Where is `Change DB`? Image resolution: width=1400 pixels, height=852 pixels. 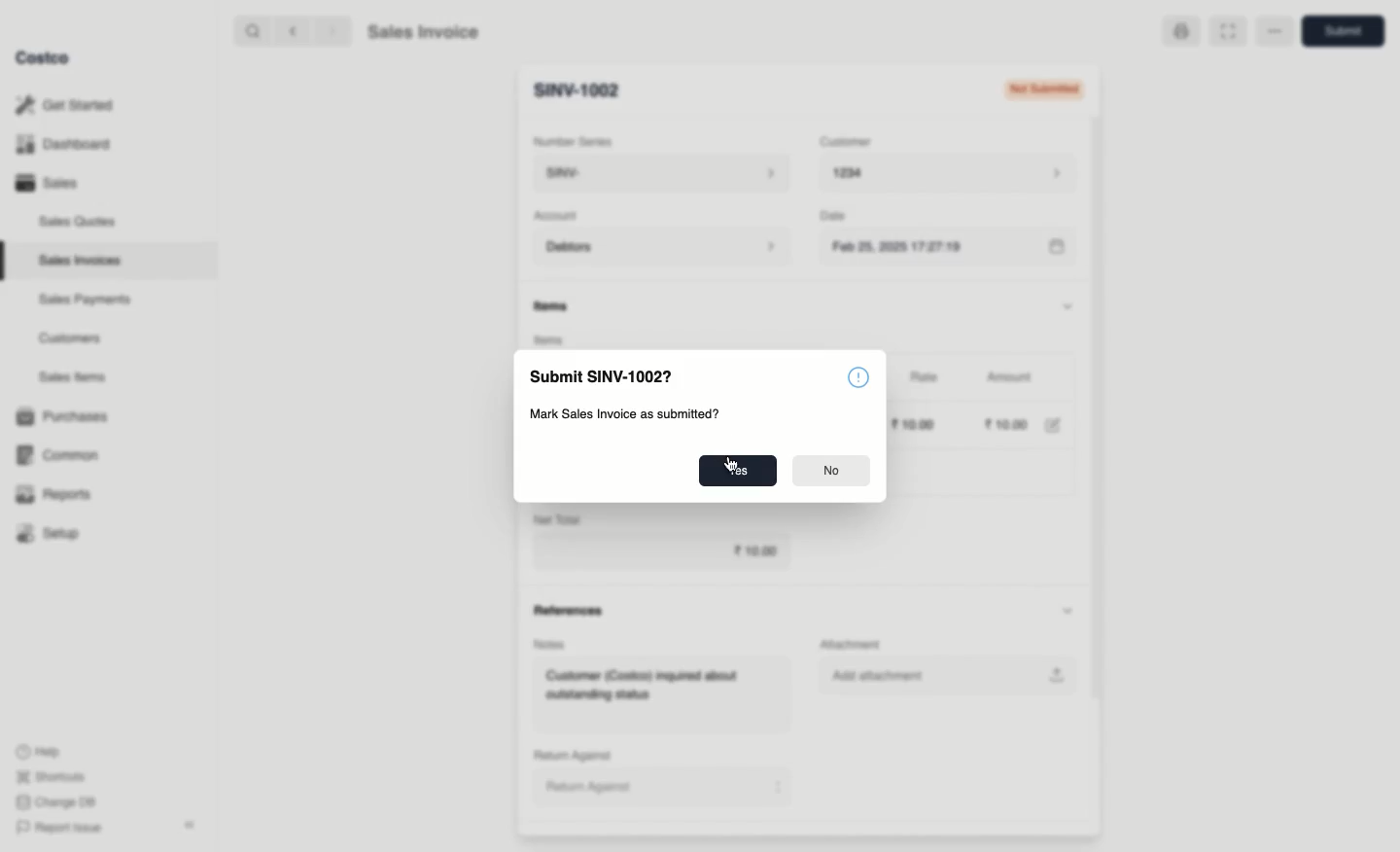
Change DB is located at coordinates (57, 801).